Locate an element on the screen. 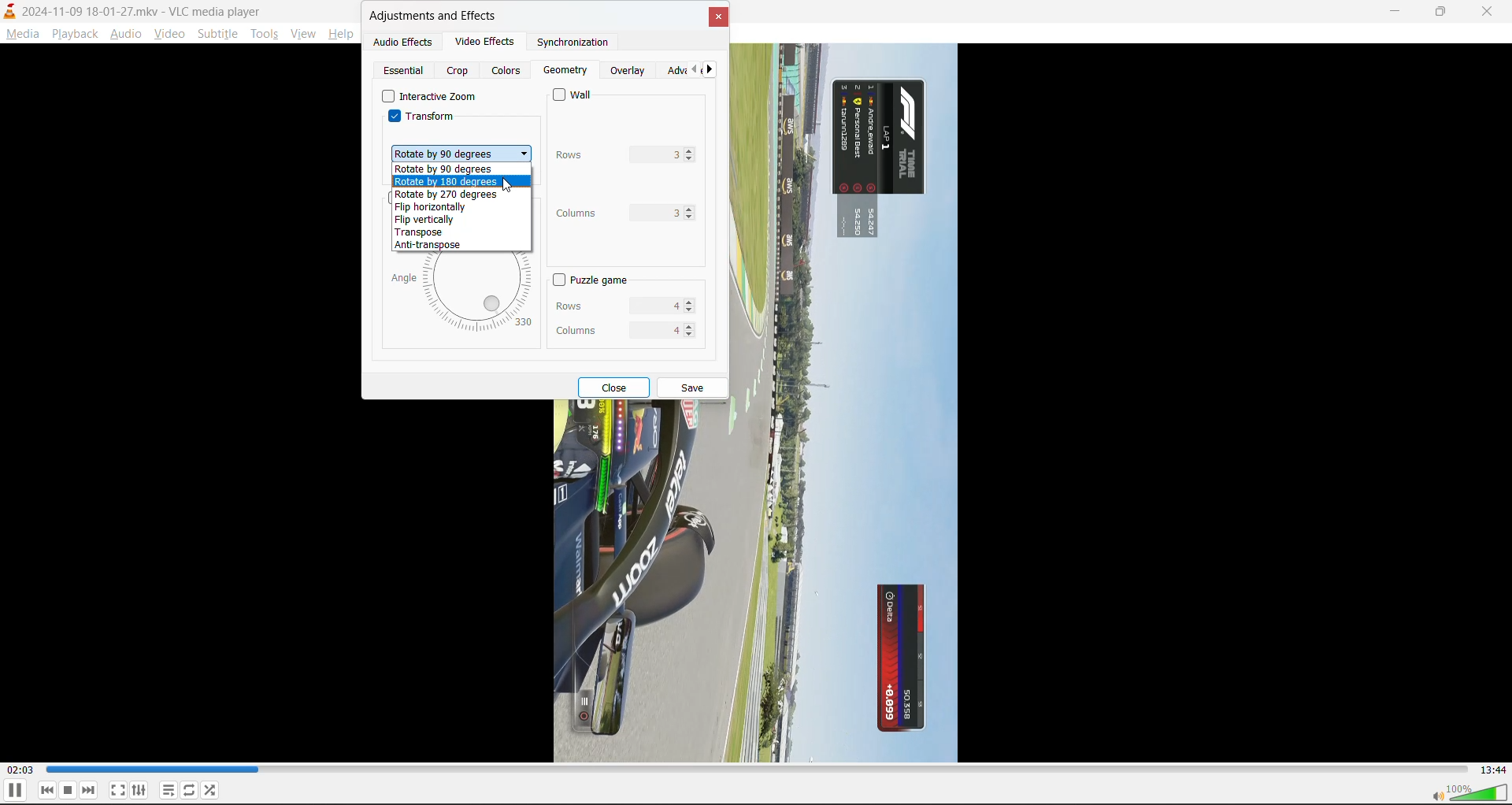 This screenshot has height=805, width=1512. next is located at coordinates (90, 790).